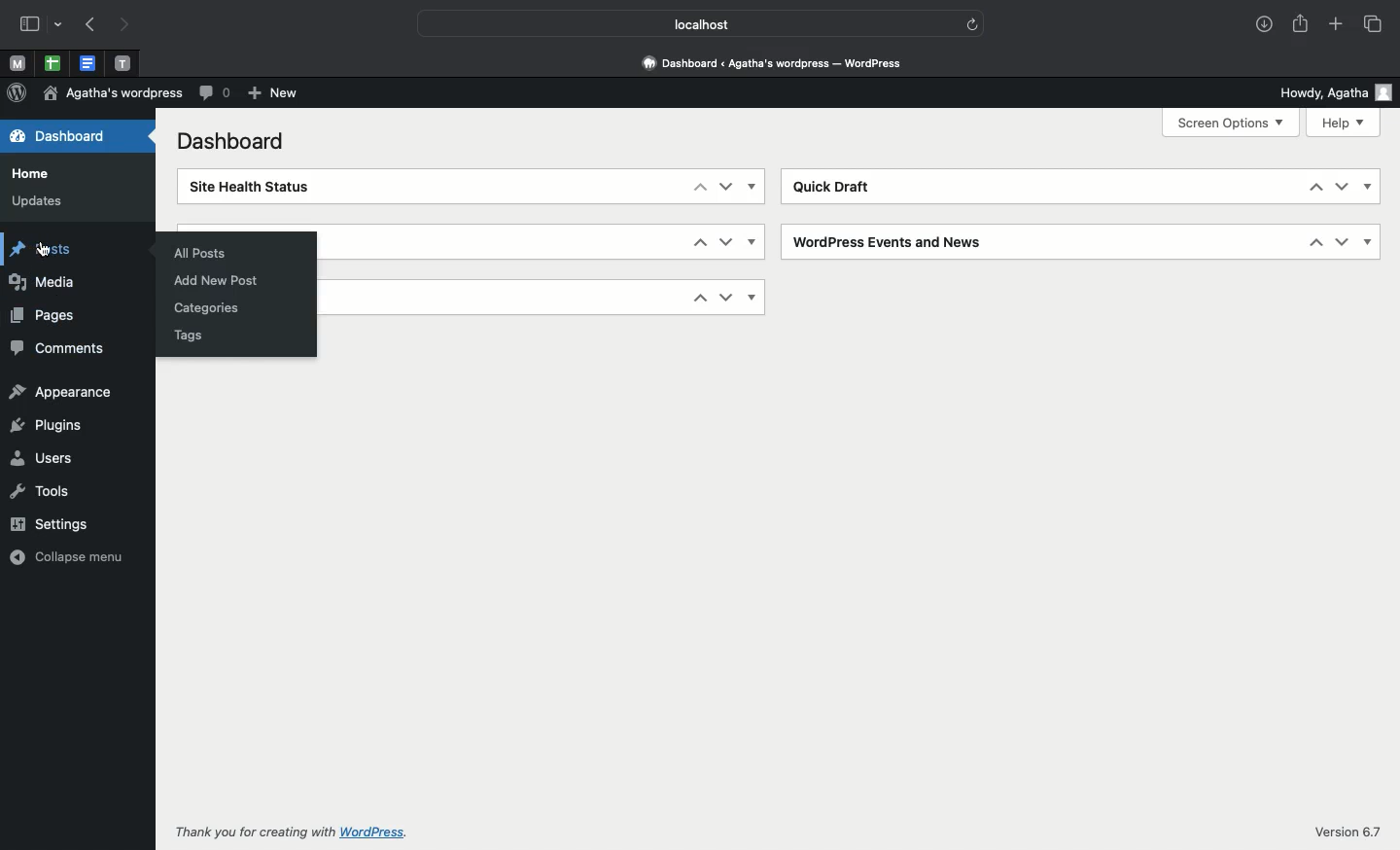 The height and width of the screenshot is (850, 1400). What do you see at coordinates (235, 141) in the screenshot?
I see `Dashboard` at bounding box center [235, 141].